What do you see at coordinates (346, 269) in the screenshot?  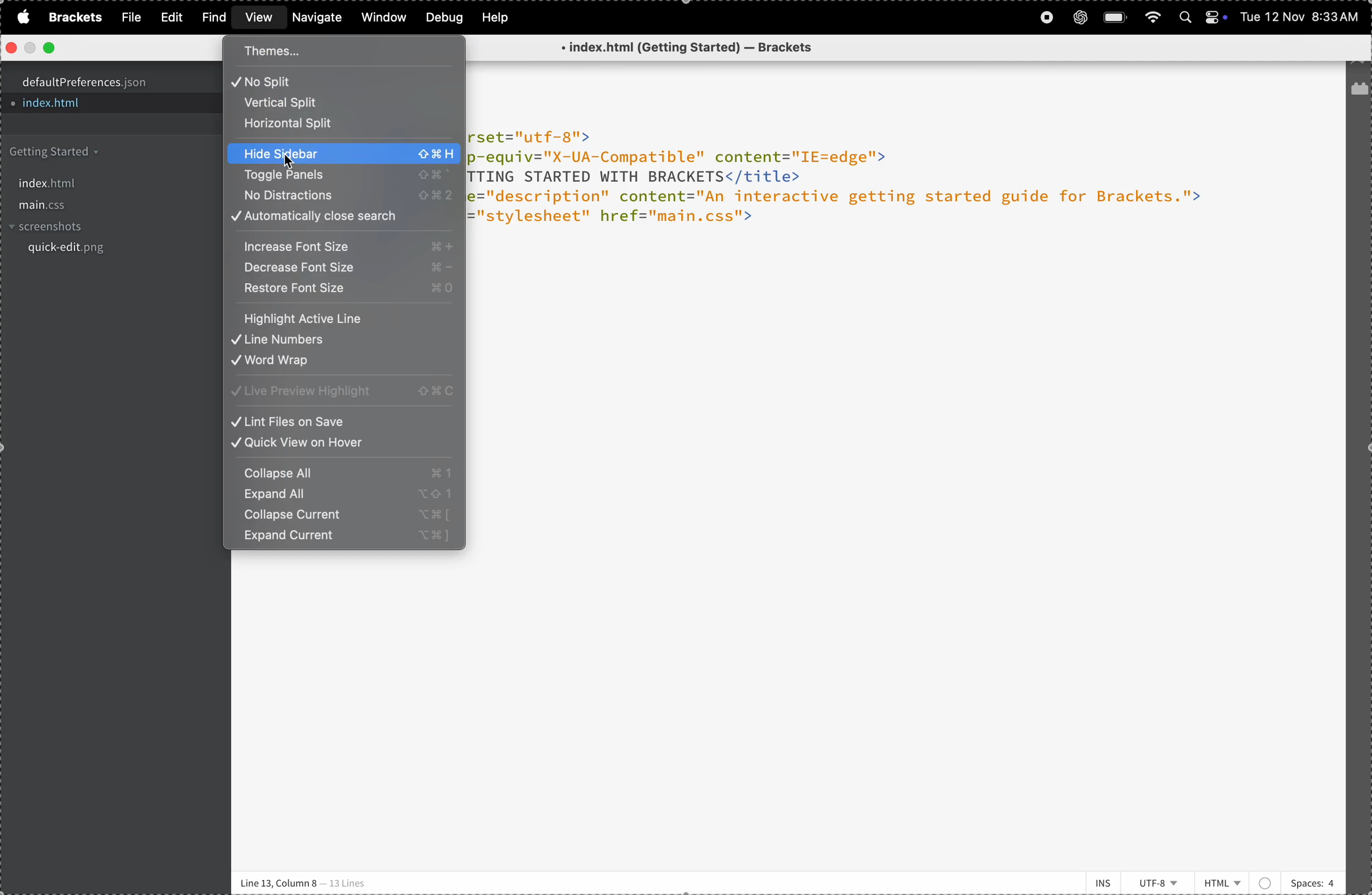 I see `decrease font size` at bounding box center [346, 269].